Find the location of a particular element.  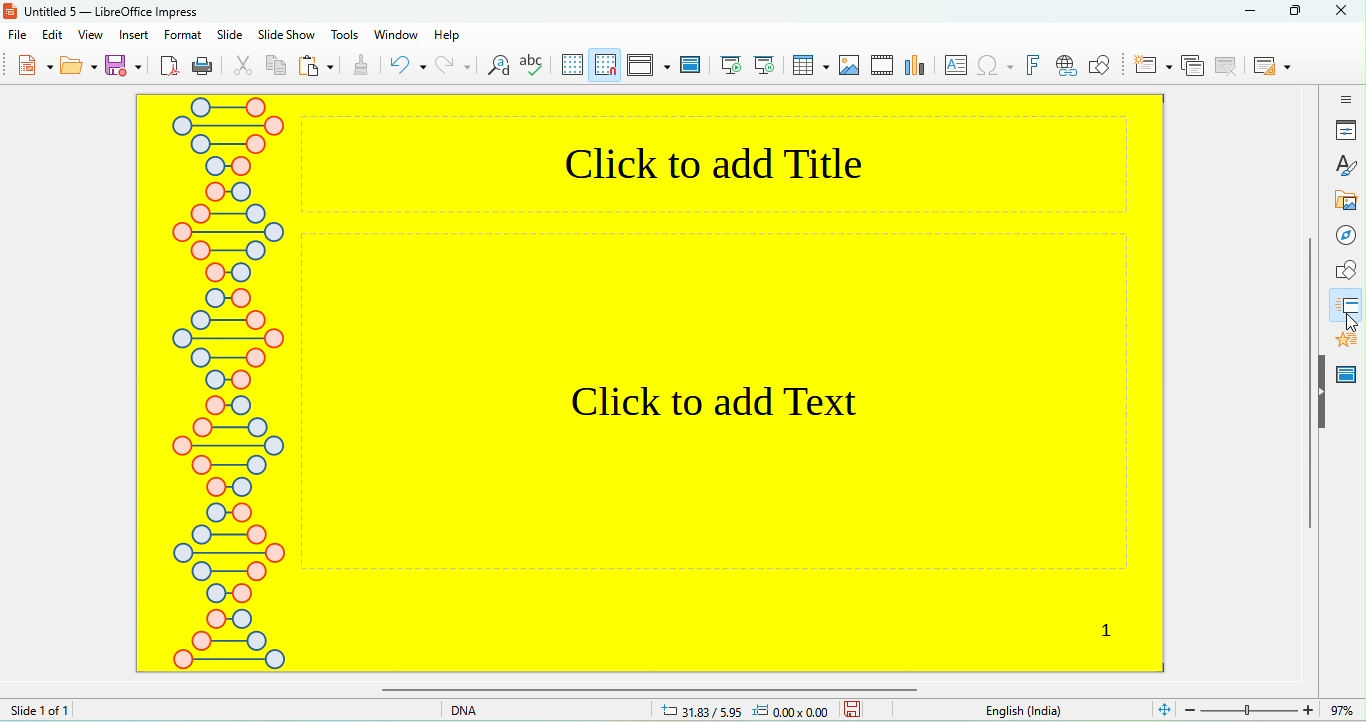

1 is located at coordinates (1108, 629).